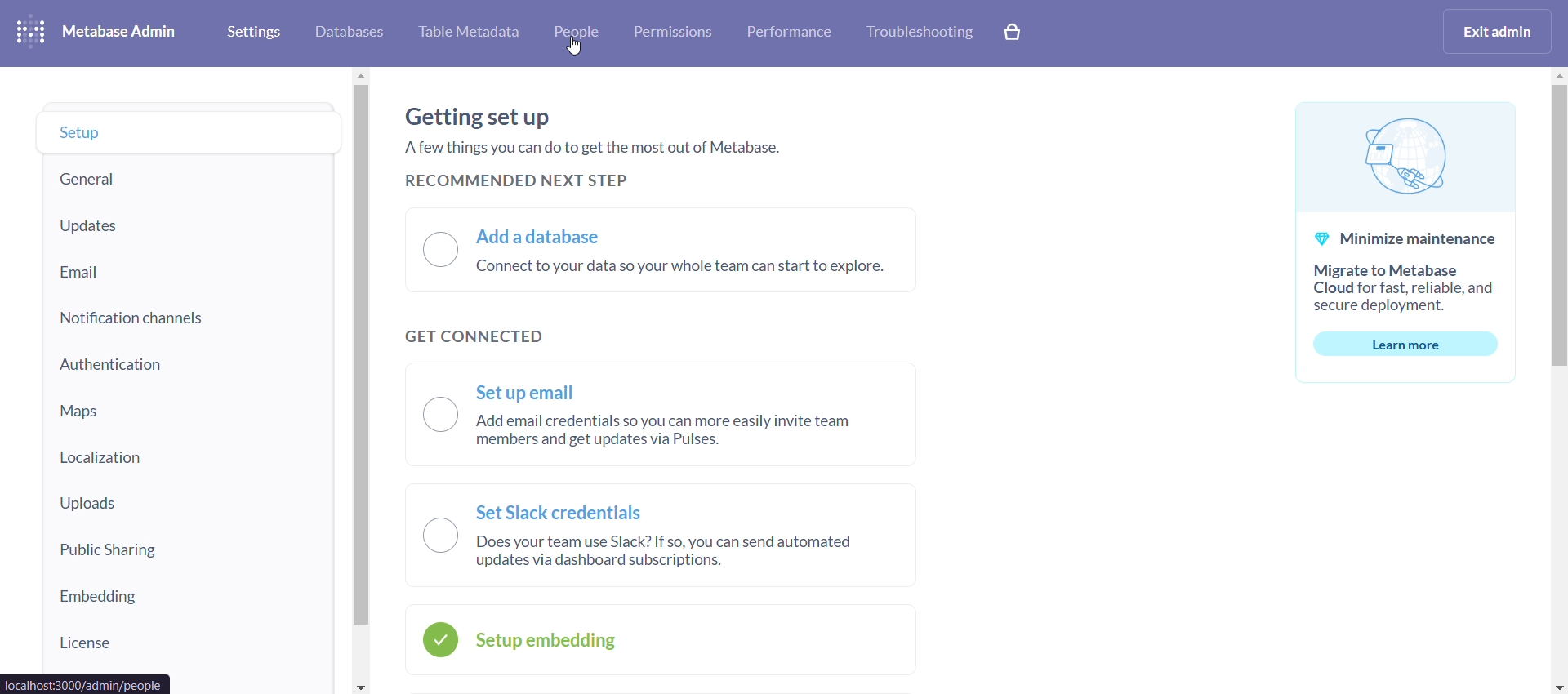 Image resolution: width=1568 pixels, height=694 pixels. What do you see at coordinates (664, 534) in the screenshot?
I see `set slack credentials` at bounding box center [664, 534].